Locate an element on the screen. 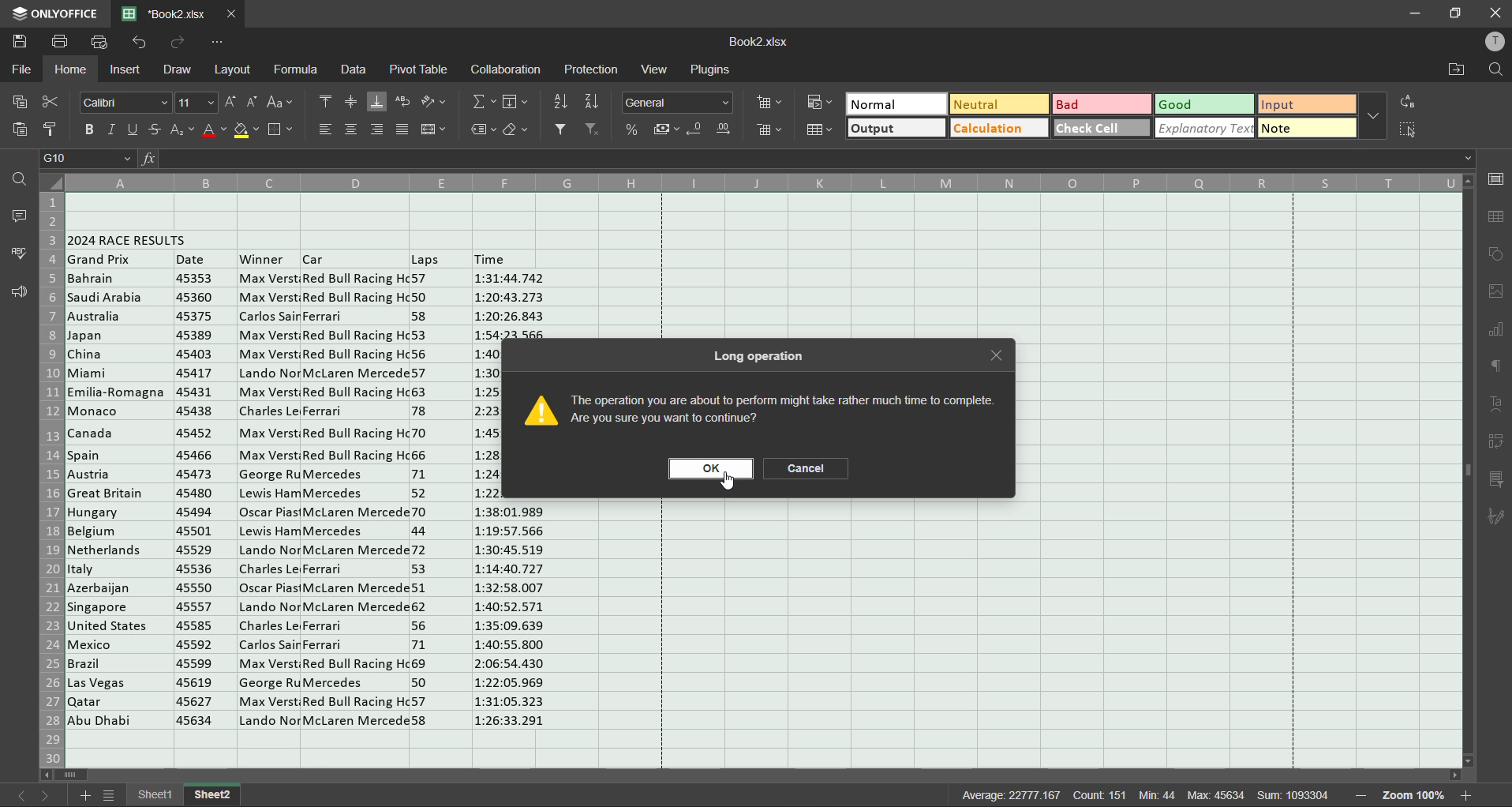  Time is located at coordinates (509, 306).